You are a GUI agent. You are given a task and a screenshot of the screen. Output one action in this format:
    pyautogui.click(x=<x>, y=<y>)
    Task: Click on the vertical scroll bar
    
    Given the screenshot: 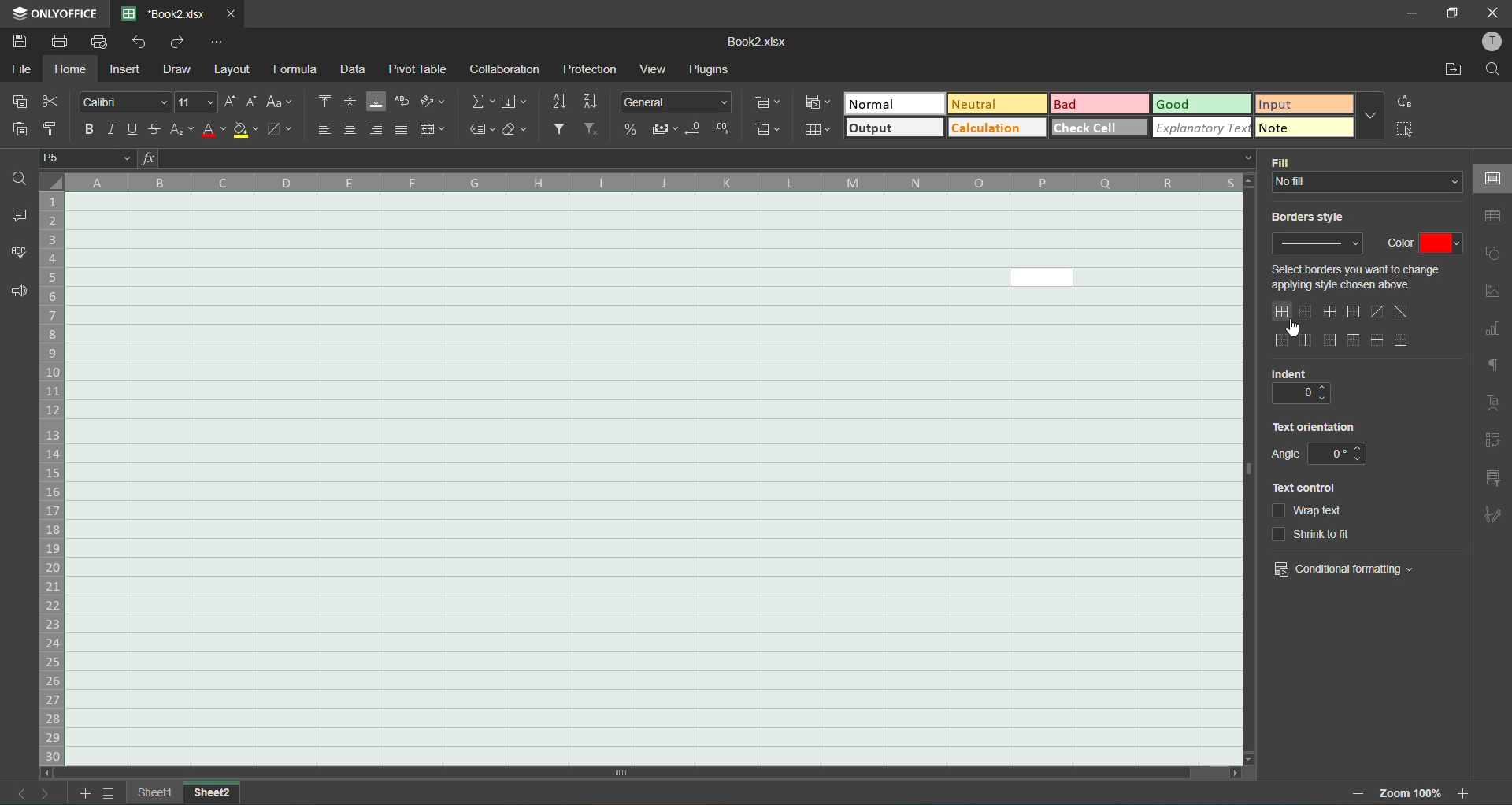 What is the action you would take?
    pyautogui.click(x=1246, y=389)
    